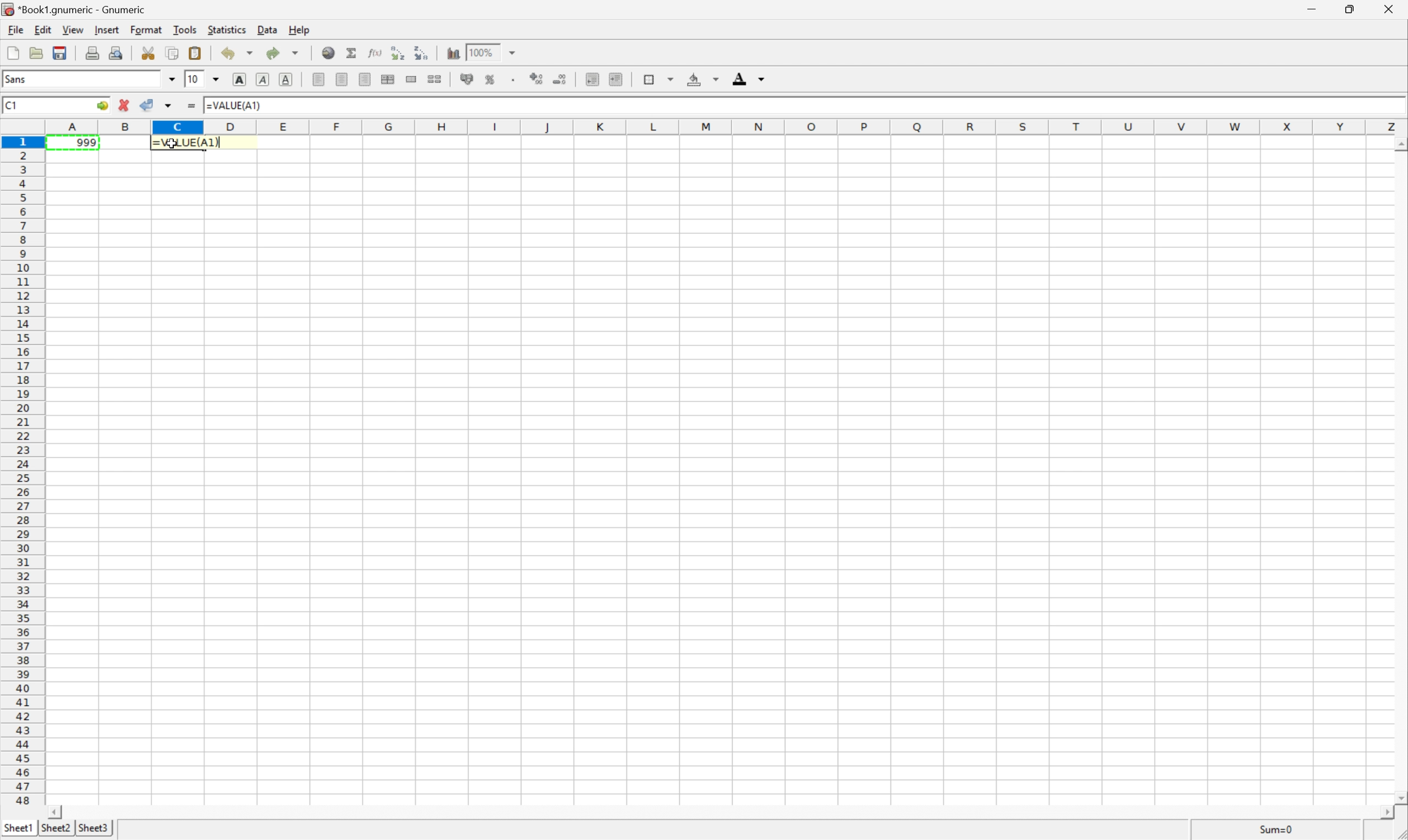 This screenshot has height=840, width=1408. I want to click on =VALUE(A1), so click(234, 106).